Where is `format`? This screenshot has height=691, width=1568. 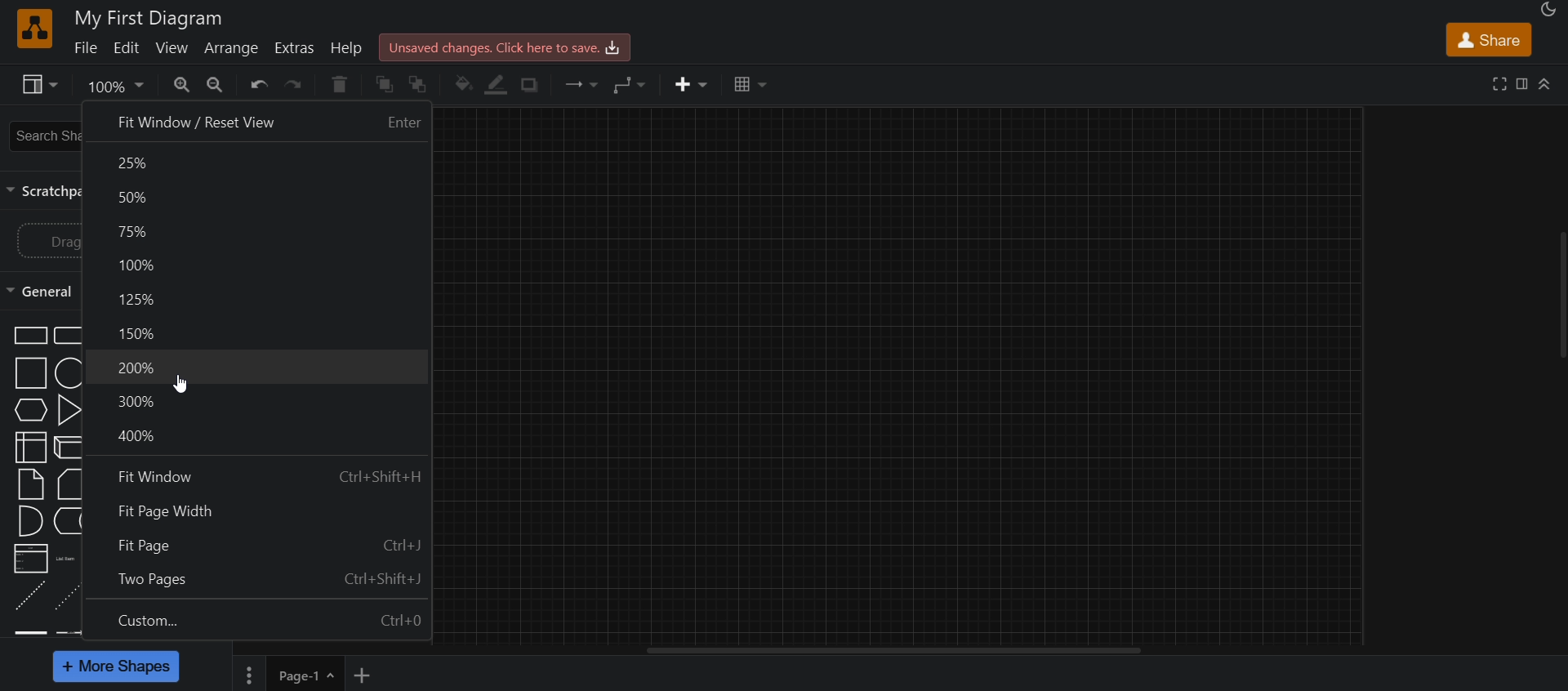
format is located at coordinates (1526, 82).